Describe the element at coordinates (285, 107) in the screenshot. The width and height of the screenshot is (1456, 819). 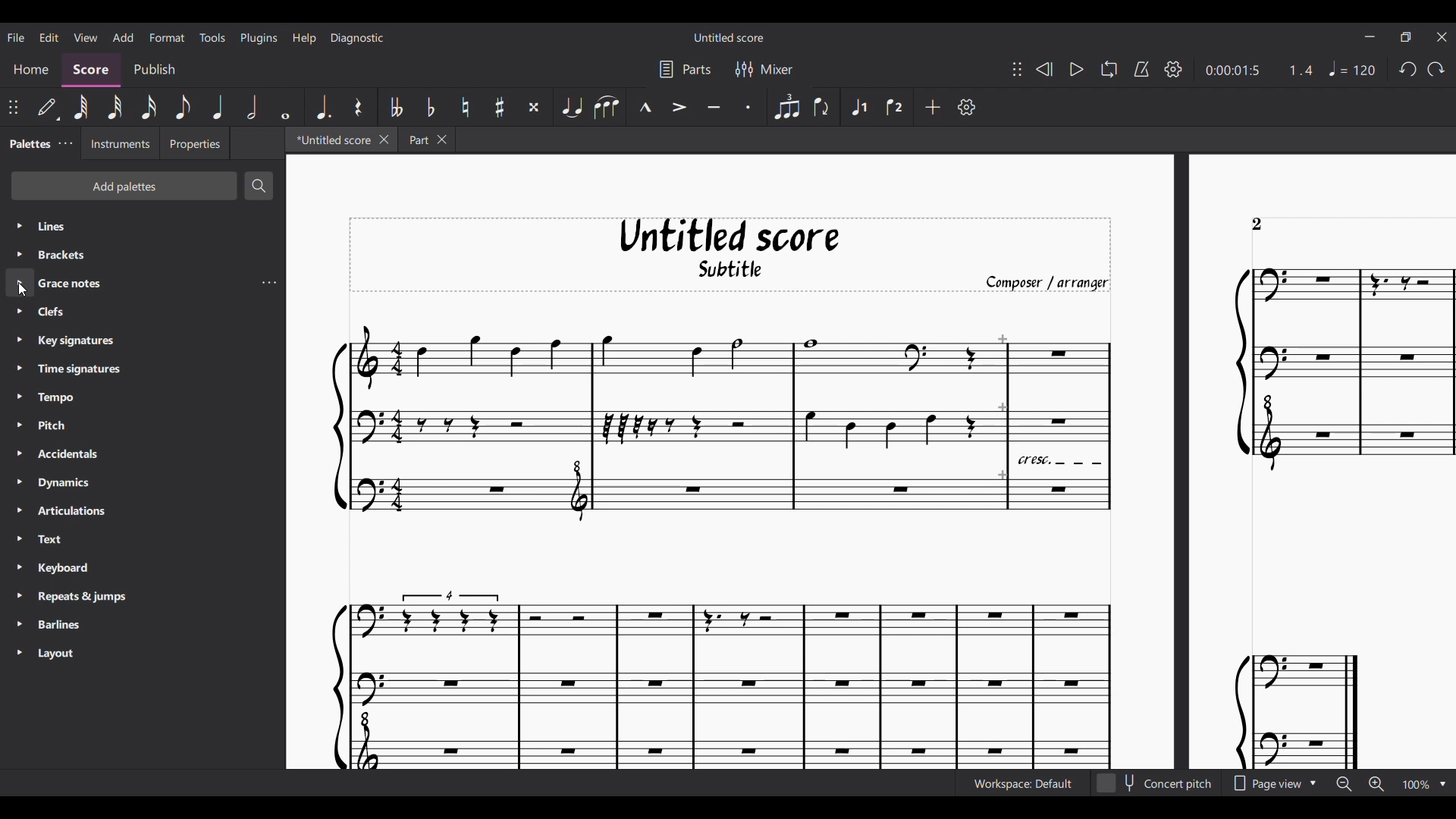
I see `Whole note` at that location.